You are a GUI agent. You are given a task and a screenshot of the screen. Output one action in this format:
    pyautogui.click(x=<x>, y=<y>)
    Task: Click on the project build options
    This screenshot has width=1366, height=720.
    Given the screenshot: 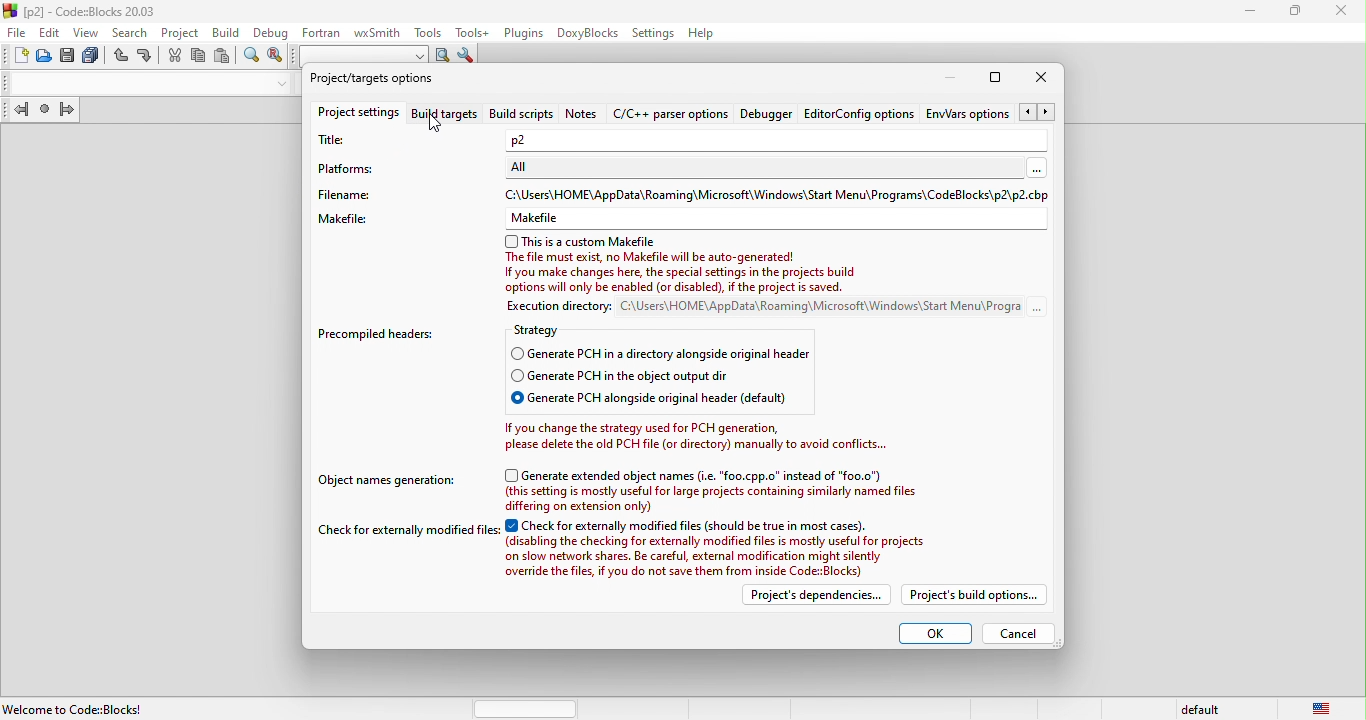 What is the action you would take?
    pyautogui.click(x=972, y=594)
    